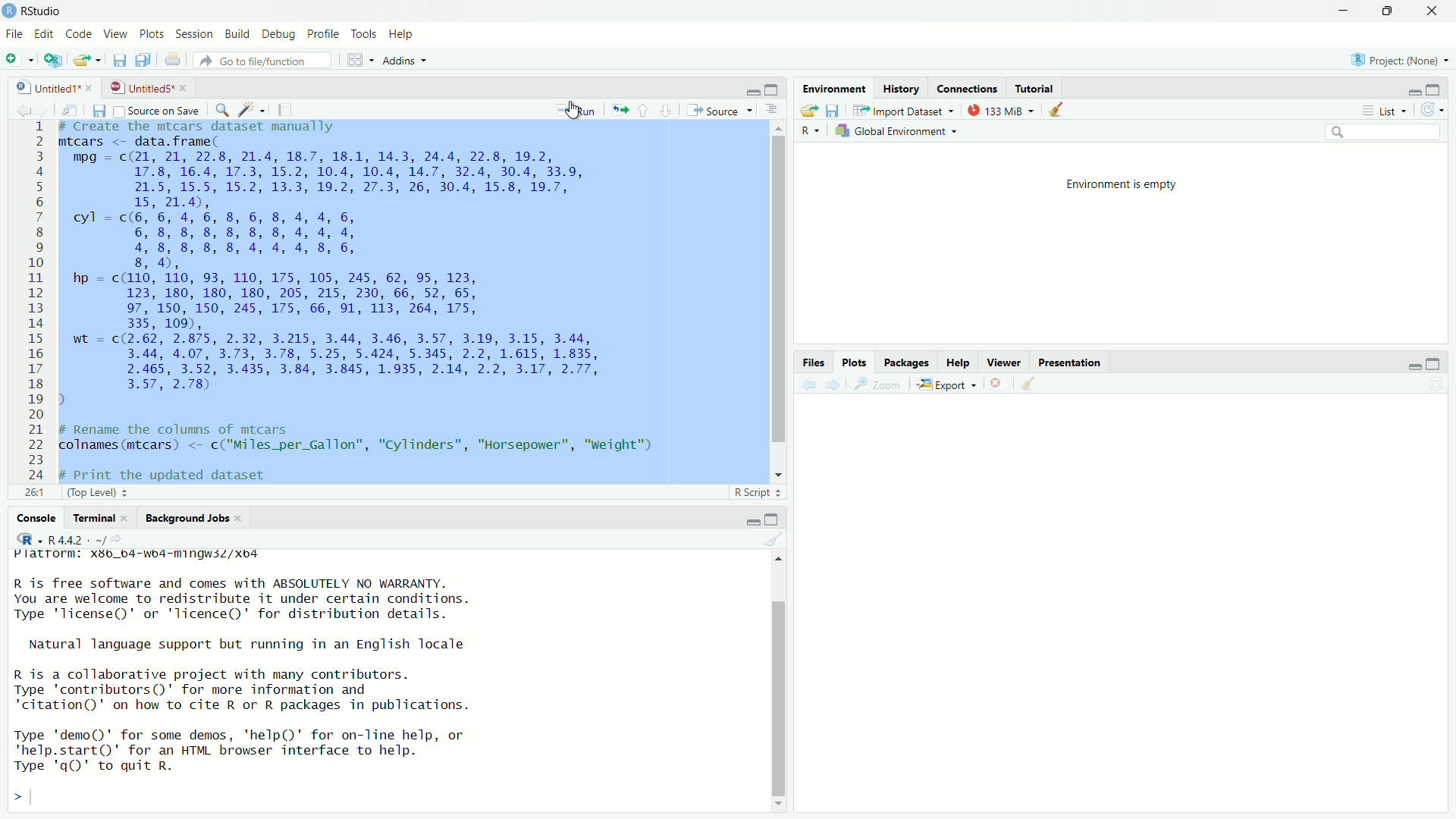 The height and width of the screenshot is (819, 1456). What do you see at coordinates (49, 87) in the screenshot?
I see `| Untitled 1*` at bounding box center [49, 87].